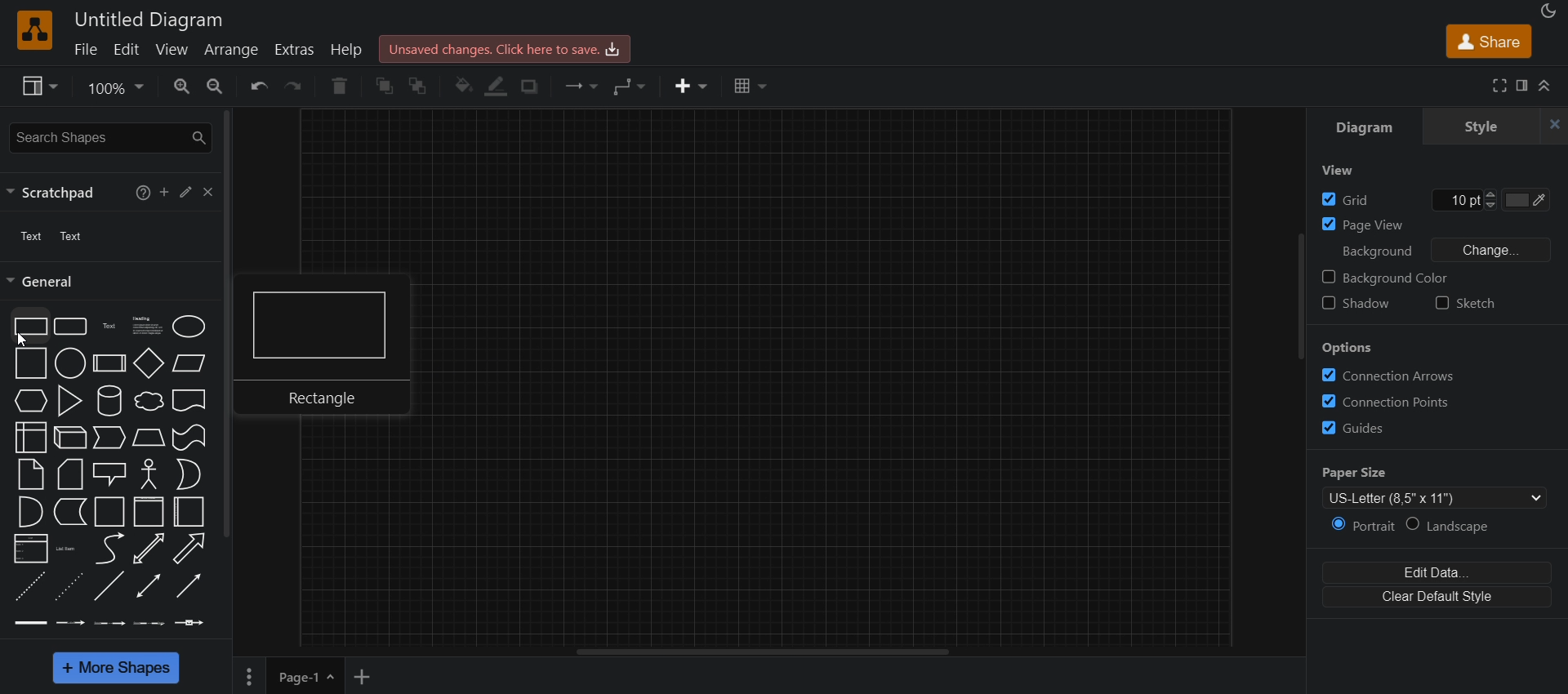 Image resolution: width=1568 pixels, height=694 pixels. What do you see at coordinates (110, 135) in the screenshot?
I see `search shapes` at bounding box center [110, 135].